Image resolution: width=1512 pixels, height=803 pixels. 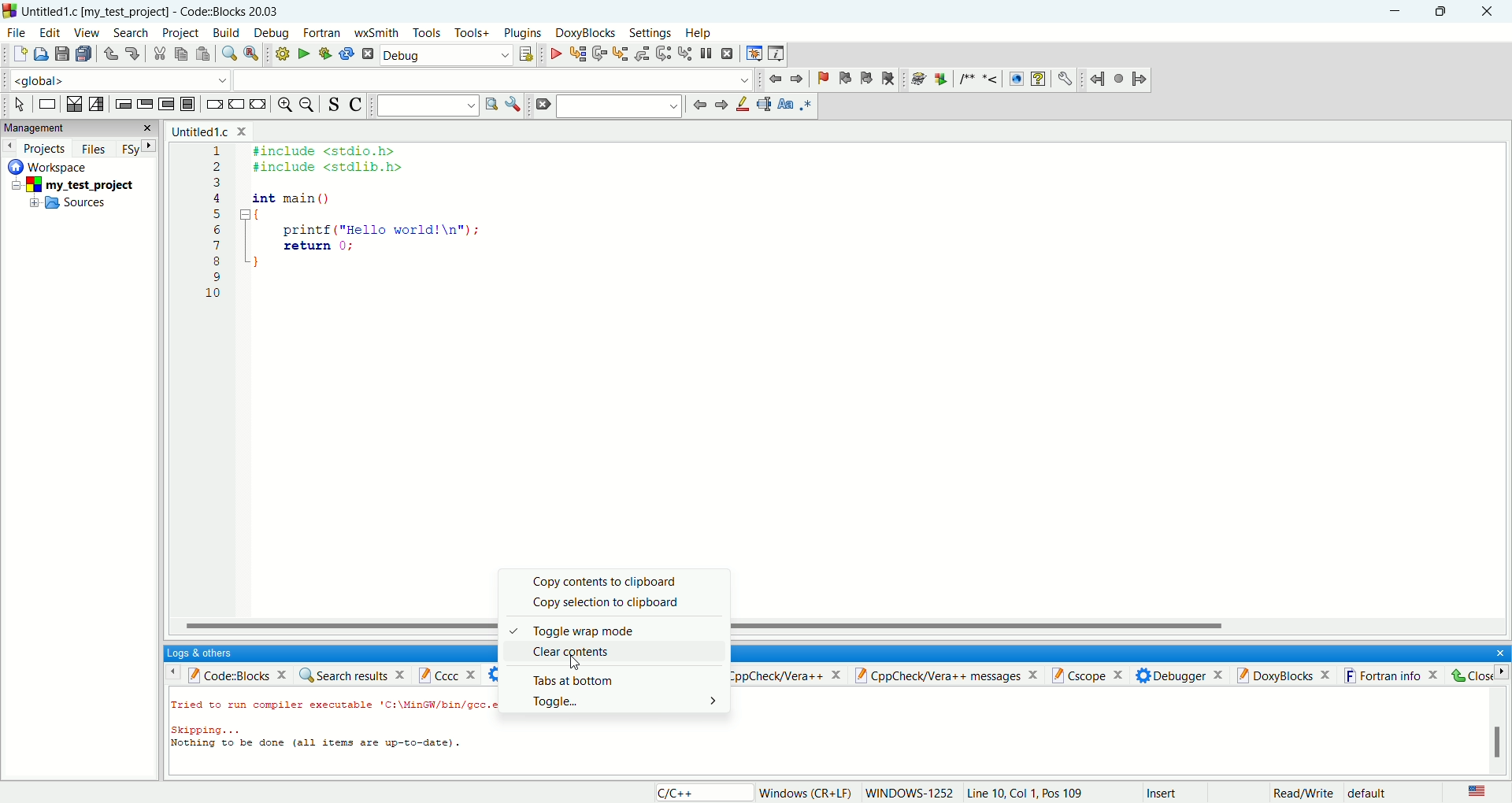 What do you see at coordinates (1495, 651) in the screenshot?
I see `close` at bounding box center [1495, 651].